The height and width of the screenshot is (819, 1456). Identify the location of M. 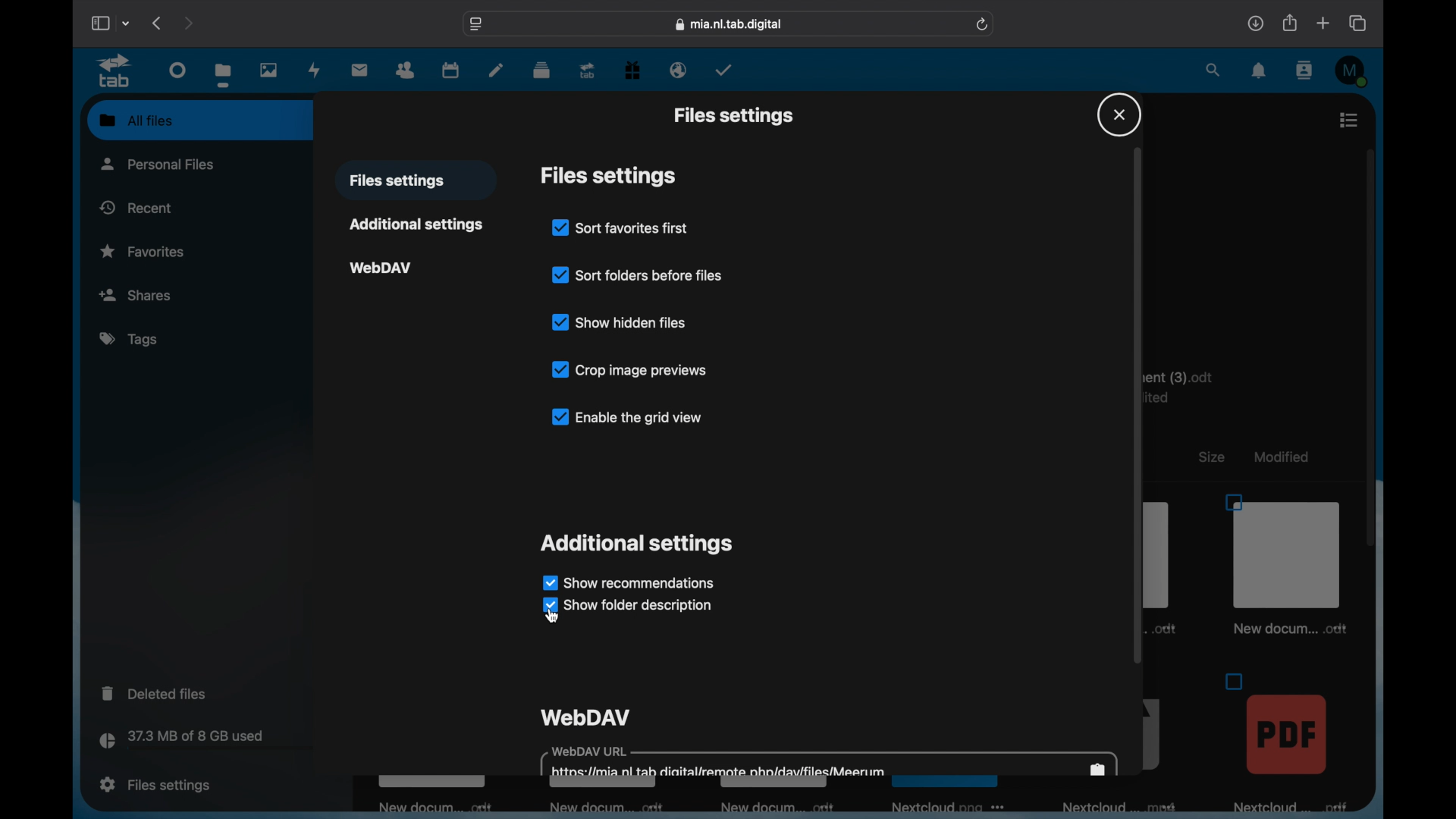
(1352, 71).